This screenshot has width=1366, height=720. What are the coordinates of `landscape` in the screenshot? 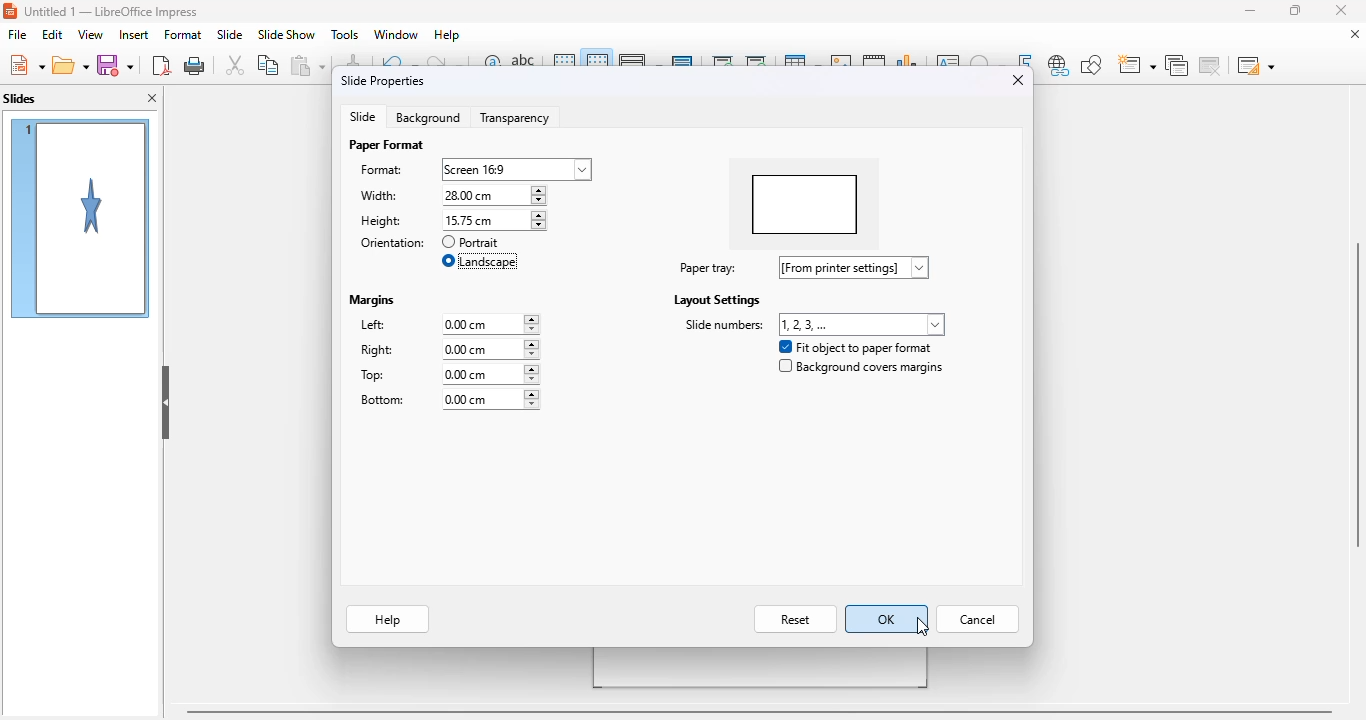 It's located at (480, 262).